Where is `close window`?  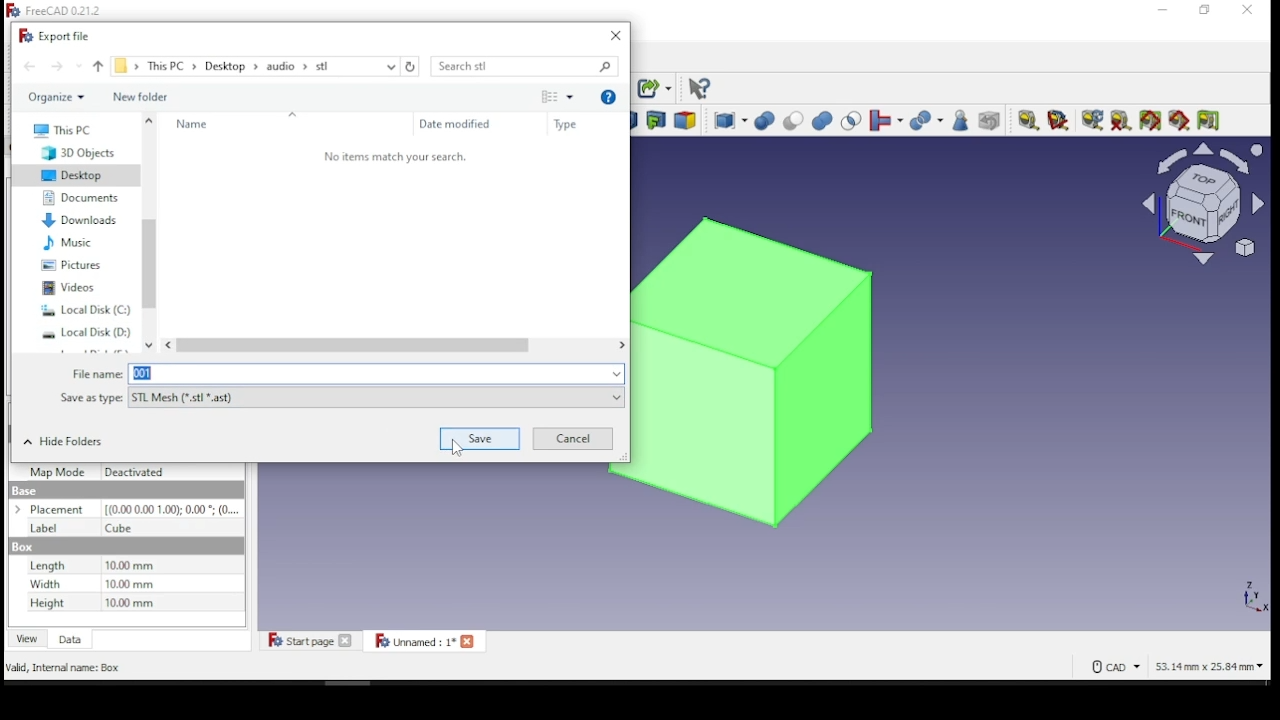
close window is located at coordinates (616, 38).